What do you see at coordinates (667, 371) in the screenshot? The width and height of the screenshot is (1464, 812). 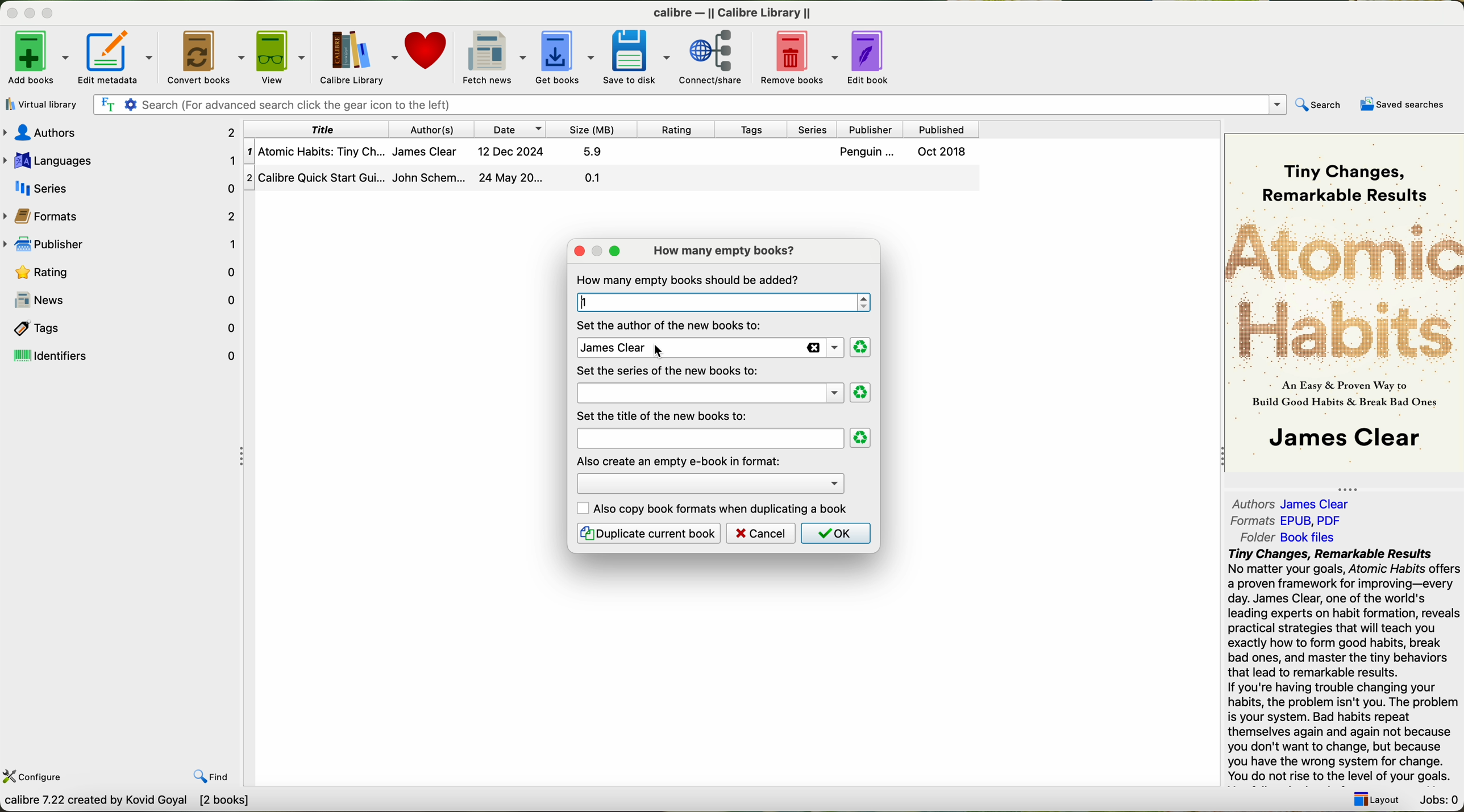 I see `set the series of the new books` at bounding box center [667, 371].